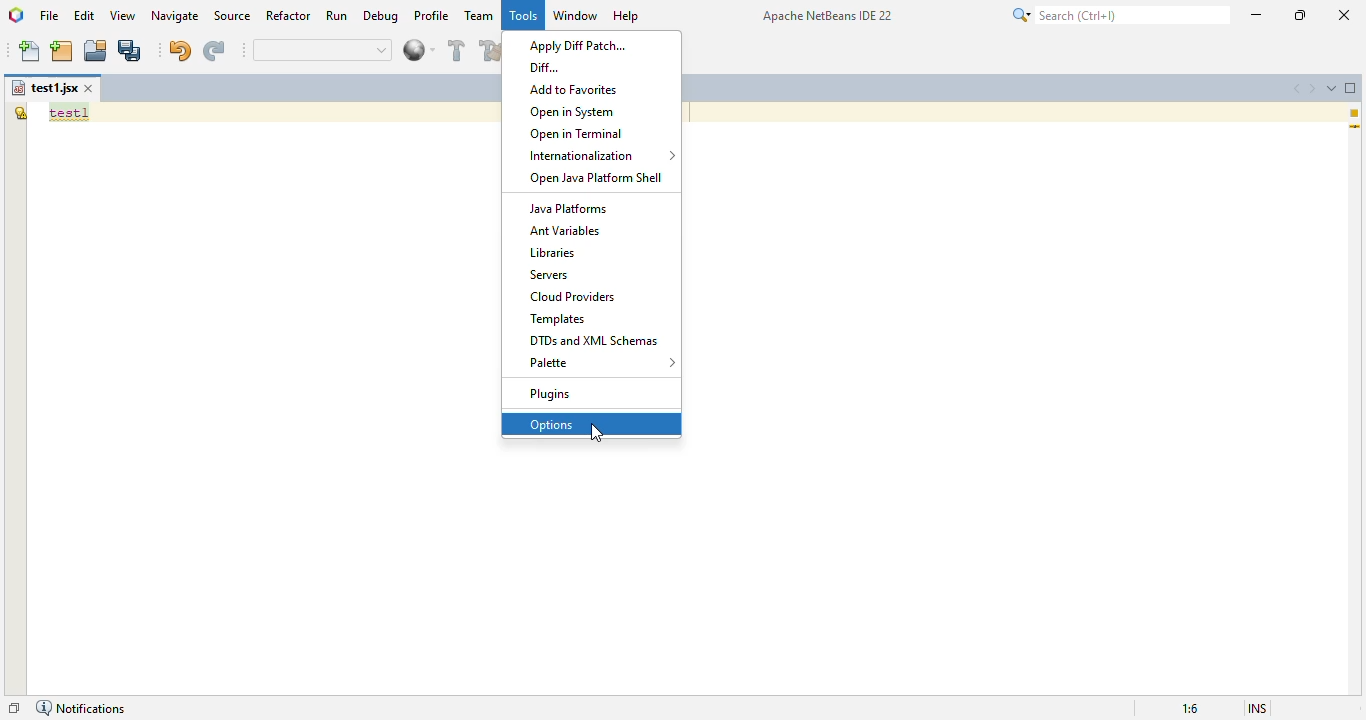 The image size is (1366, 720). Describe the element at coordinates (575, 15) in the screenshot. I see `window` at that location.